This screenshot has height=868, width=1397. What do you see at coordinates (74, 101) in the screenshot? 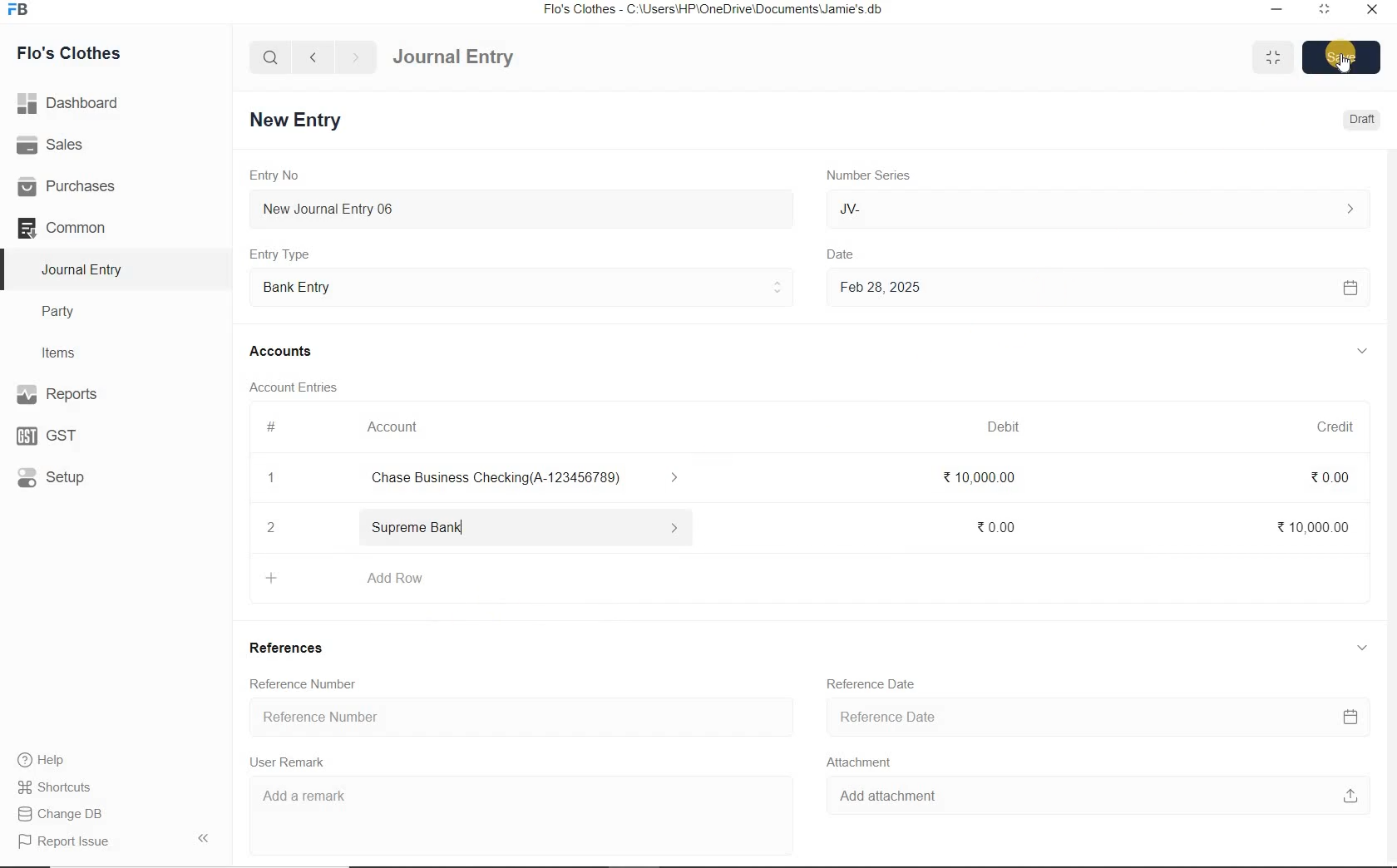
I see `Dashboard` at bounding box center [74, 101].